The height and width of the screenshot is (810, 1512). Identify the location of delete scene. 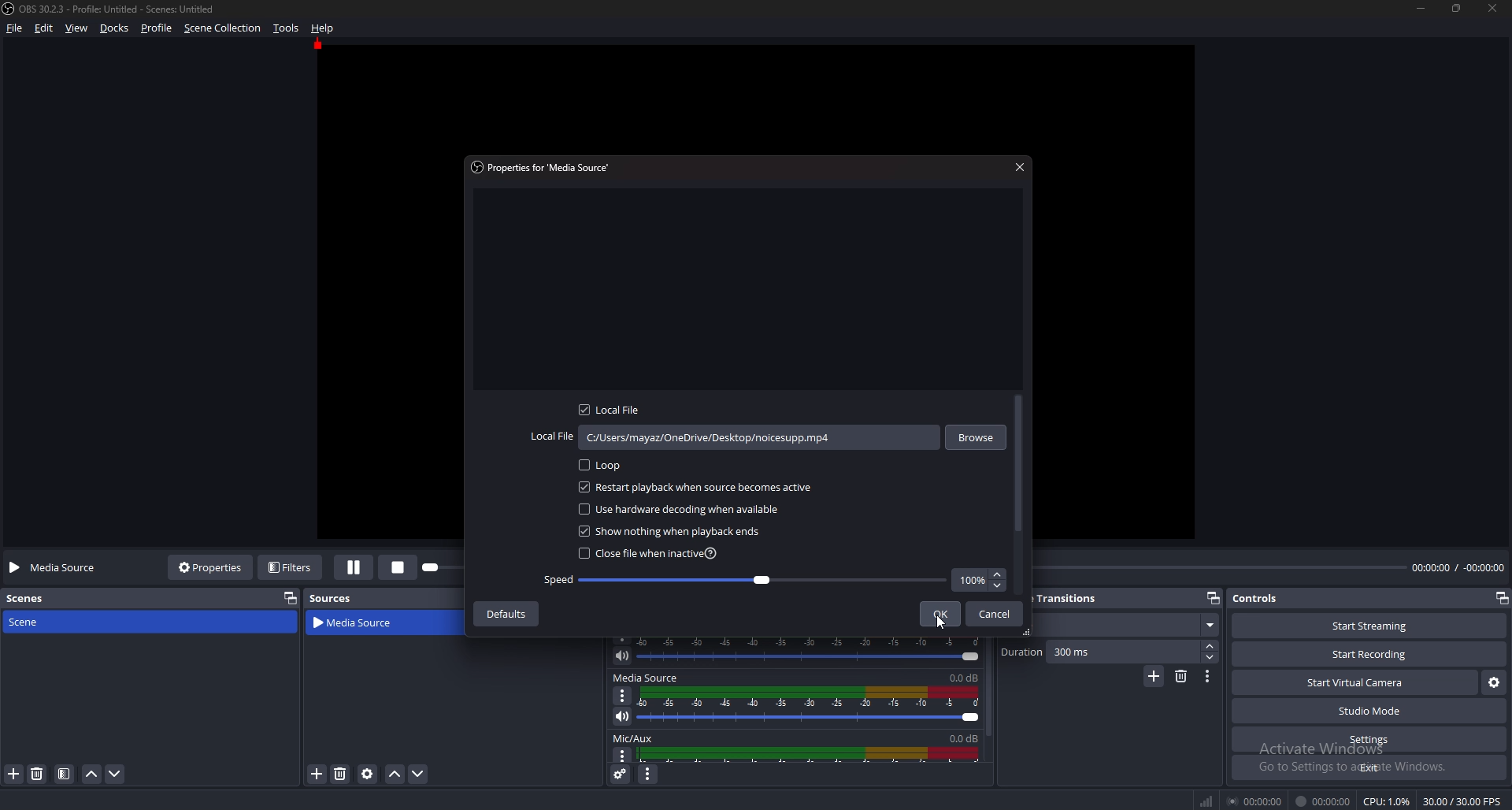
(38, 773).